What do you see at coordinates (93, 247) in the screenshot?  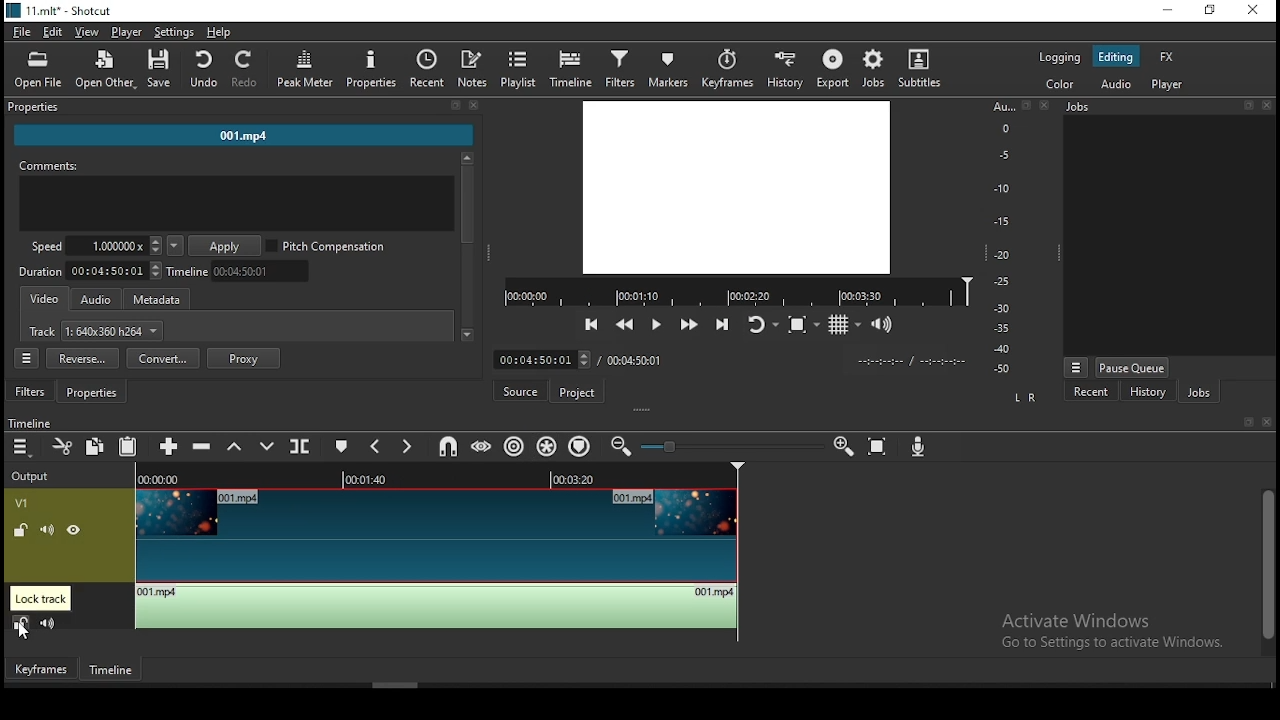 I see `speed` at bounding box center [93, 247].